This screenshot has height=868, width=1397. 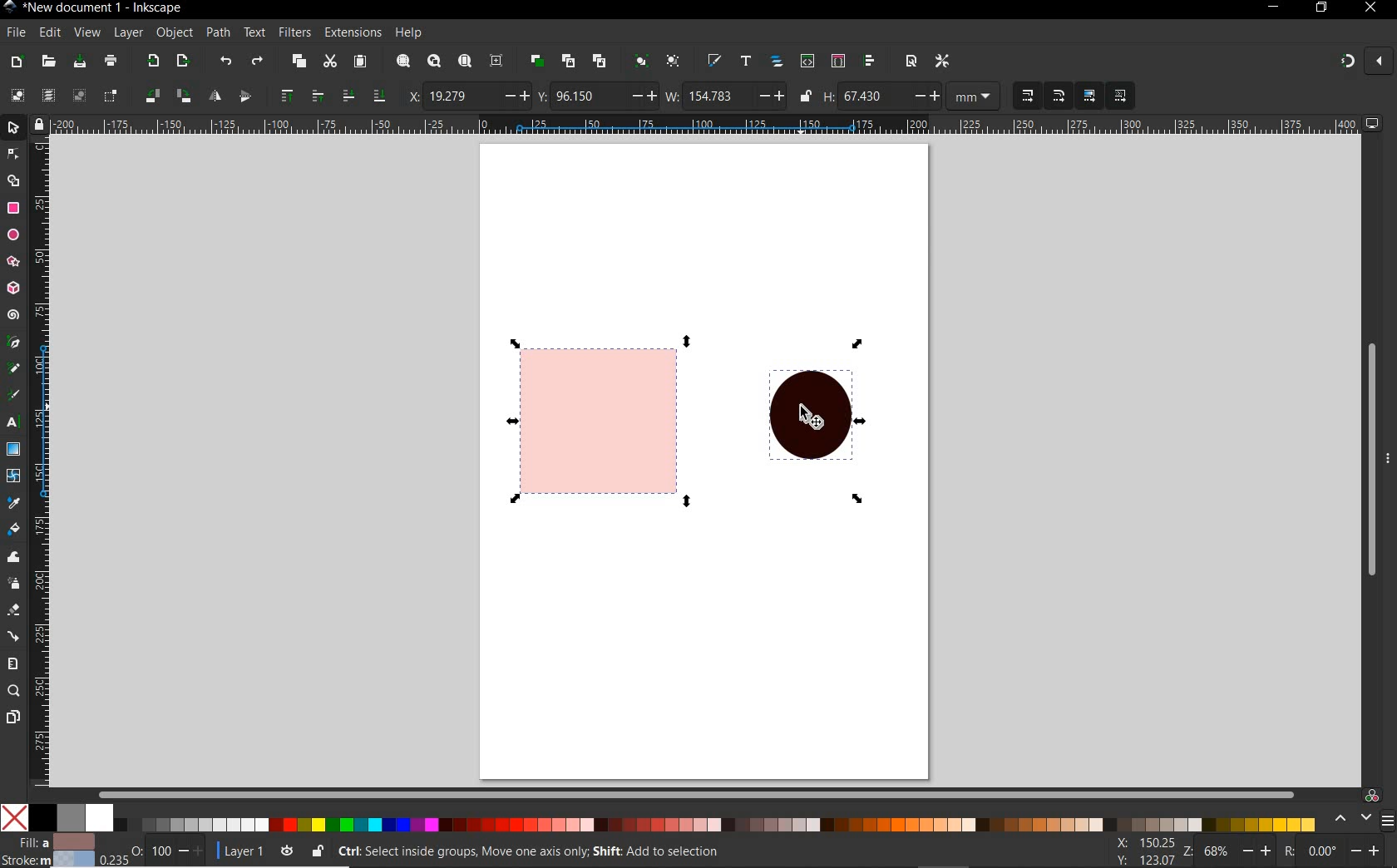 What do you see at coordinates (15, 32) in the screenshot?
I see `file` at bounding box center [15, 32].